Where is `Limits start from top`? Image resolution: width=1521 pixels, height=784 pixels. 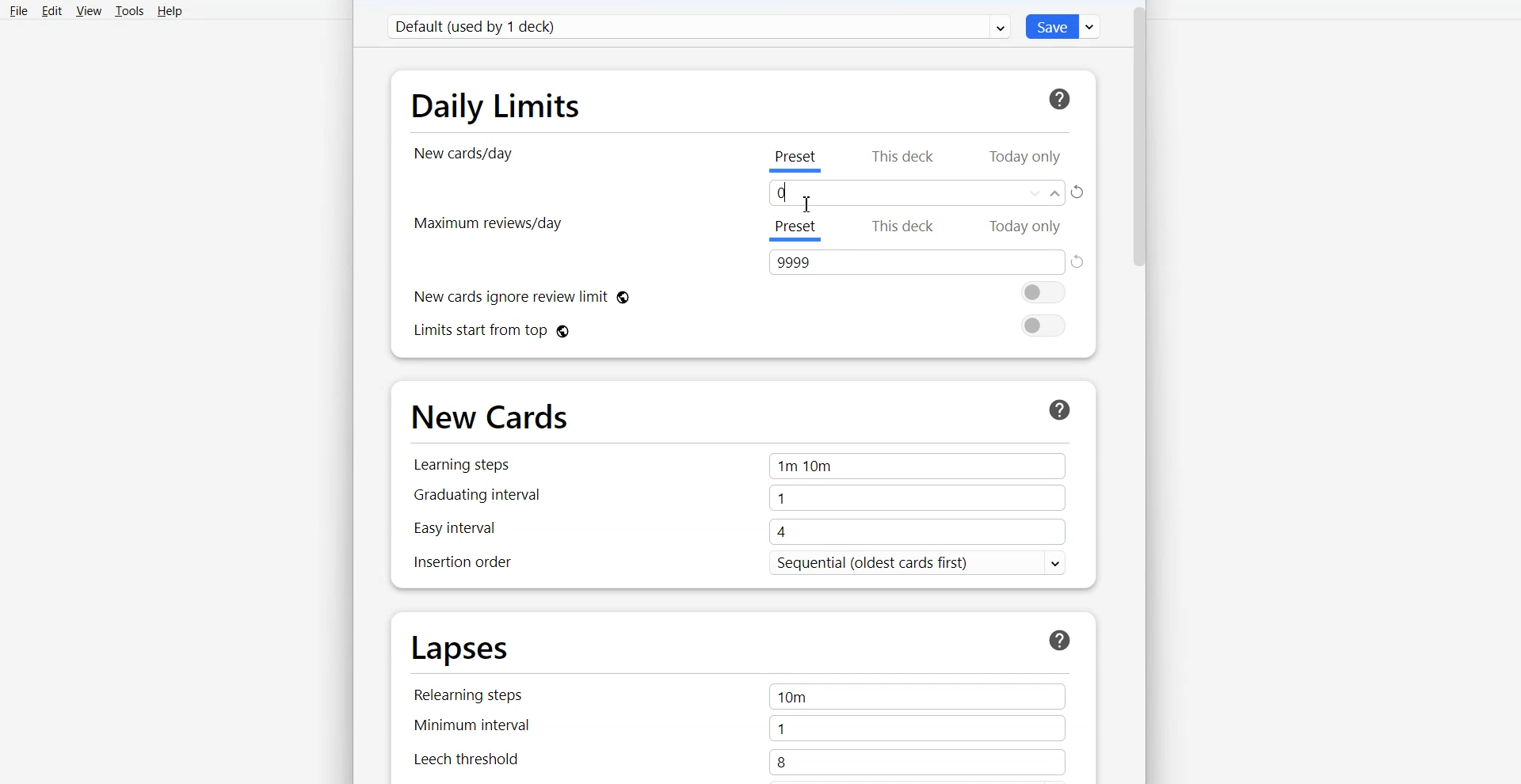 Limits start from top is located at coordinates (739, 326).